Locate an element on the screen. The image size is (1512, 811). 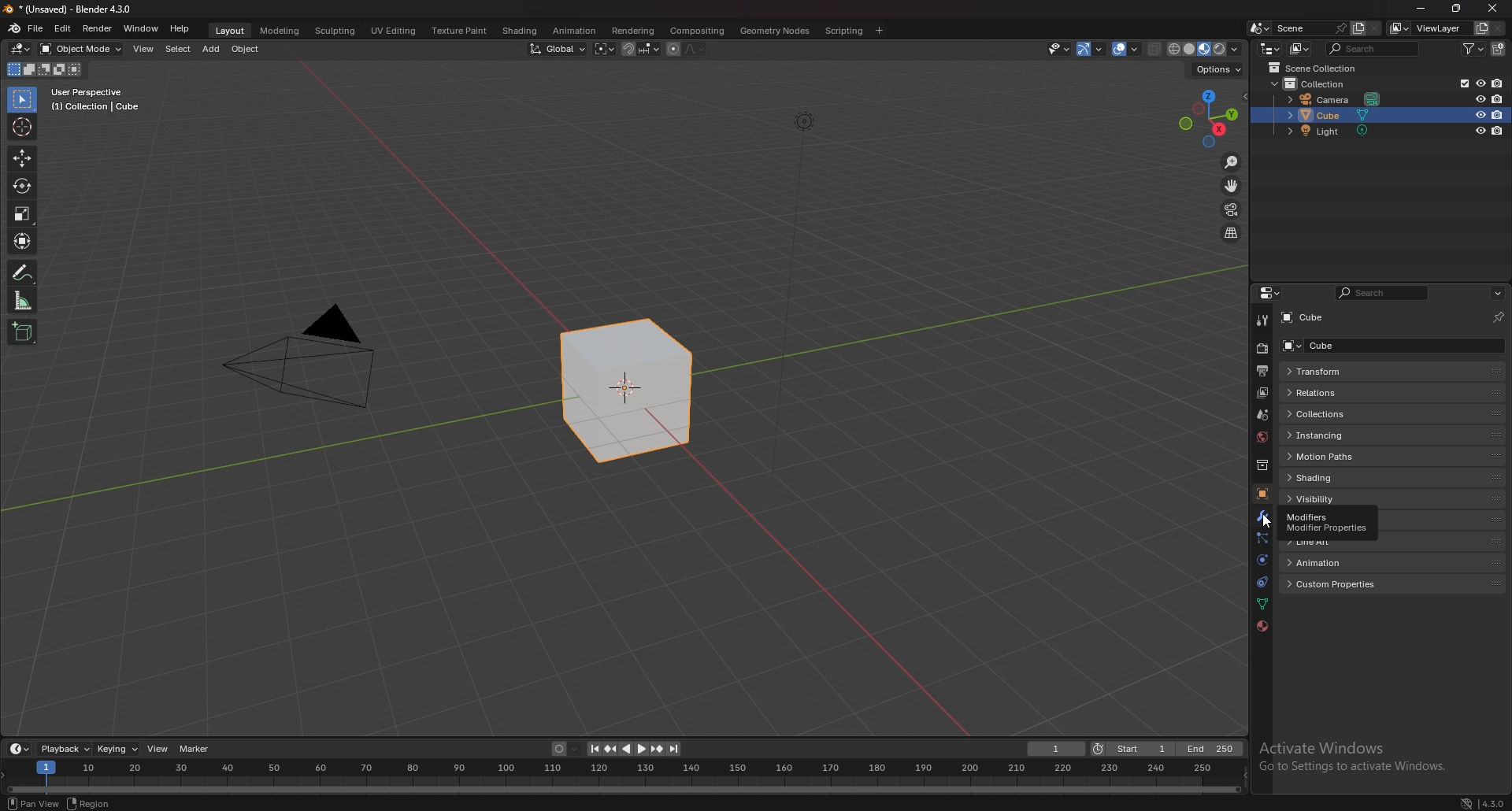
disable in renders is located at coordinates (1498, 83).